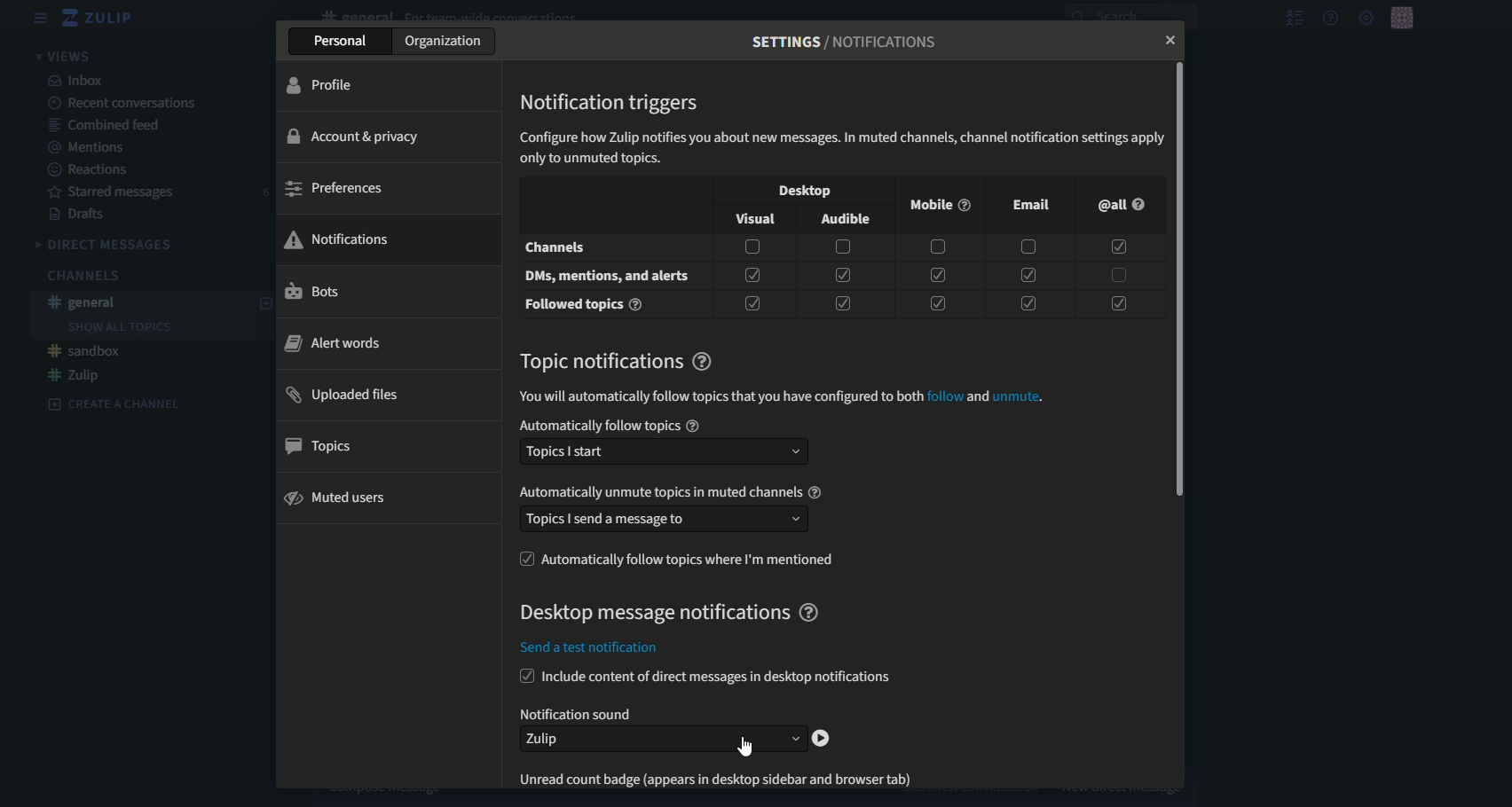  I want to click on unmute, so click(1016, 396).